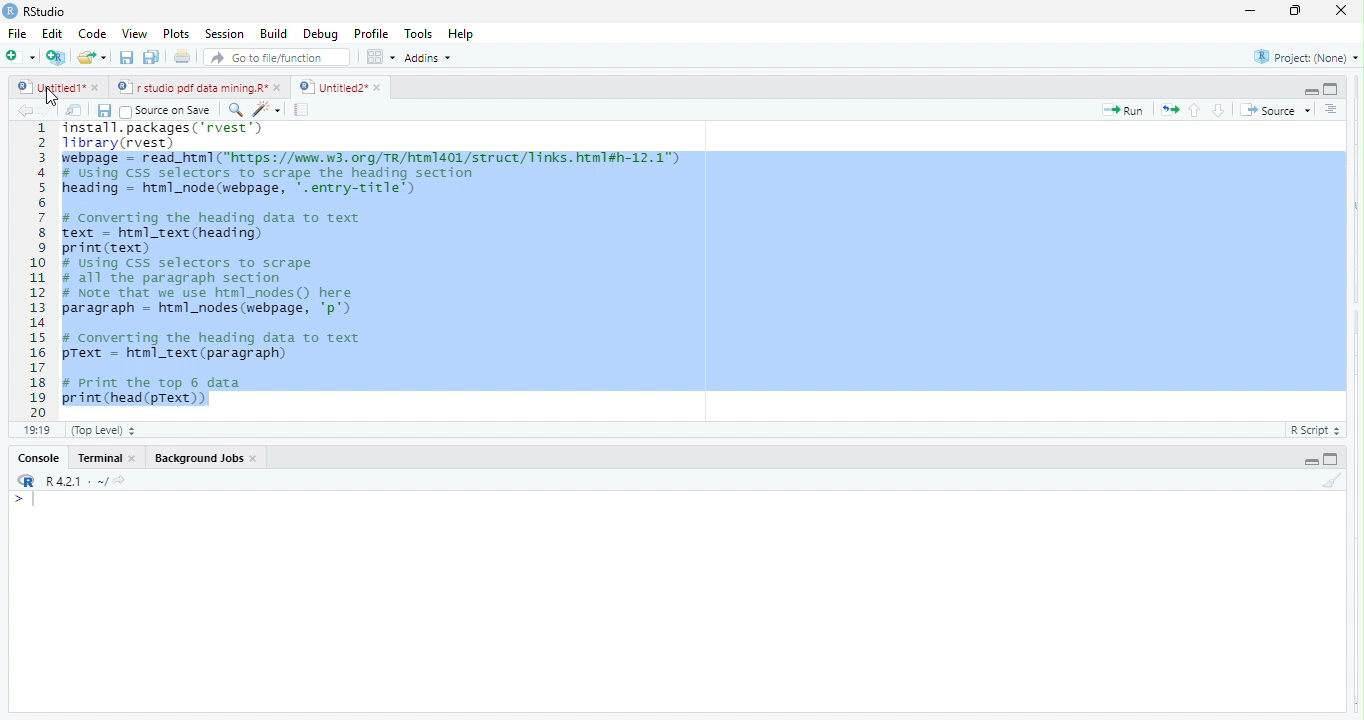 The height and width of the screenshot is (720, 1364). What do you see at coordinates (137, 460) in the screenshot?
I see `close` at bounding box center [137, 460].